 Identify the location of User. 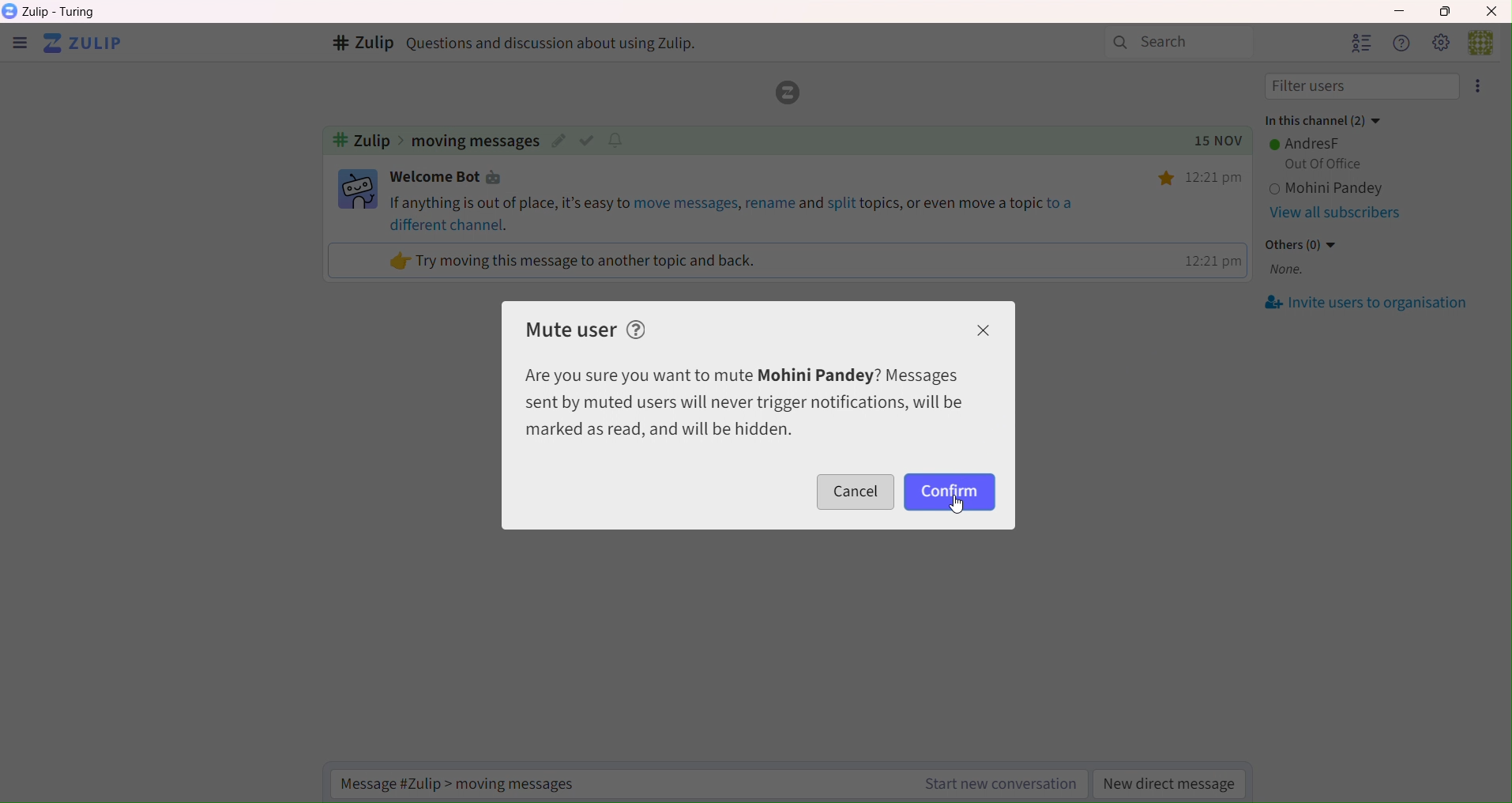
(1488, 41).